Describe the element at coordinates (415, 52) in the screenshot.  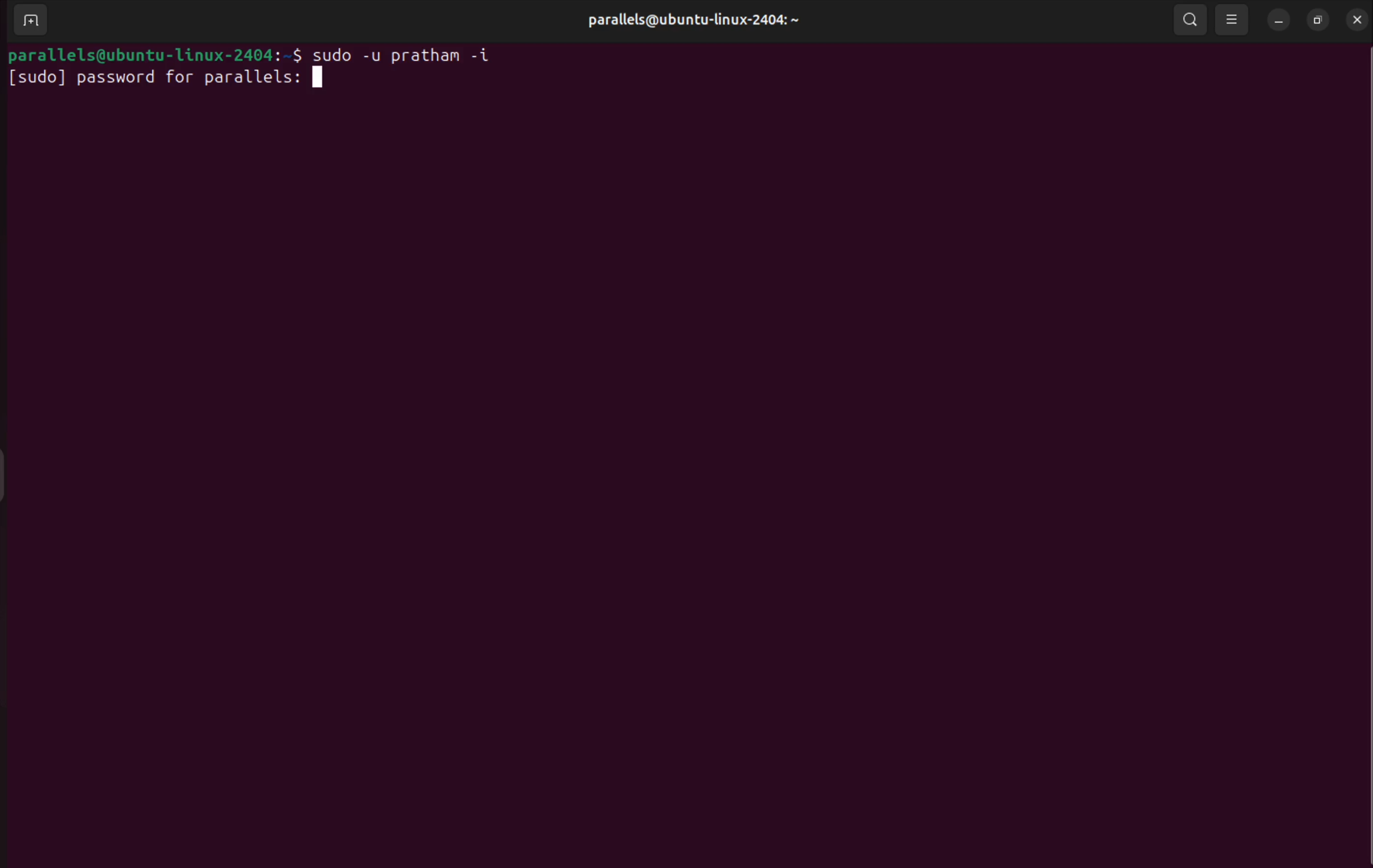
I see `sudo -u <username> -i` at that location.